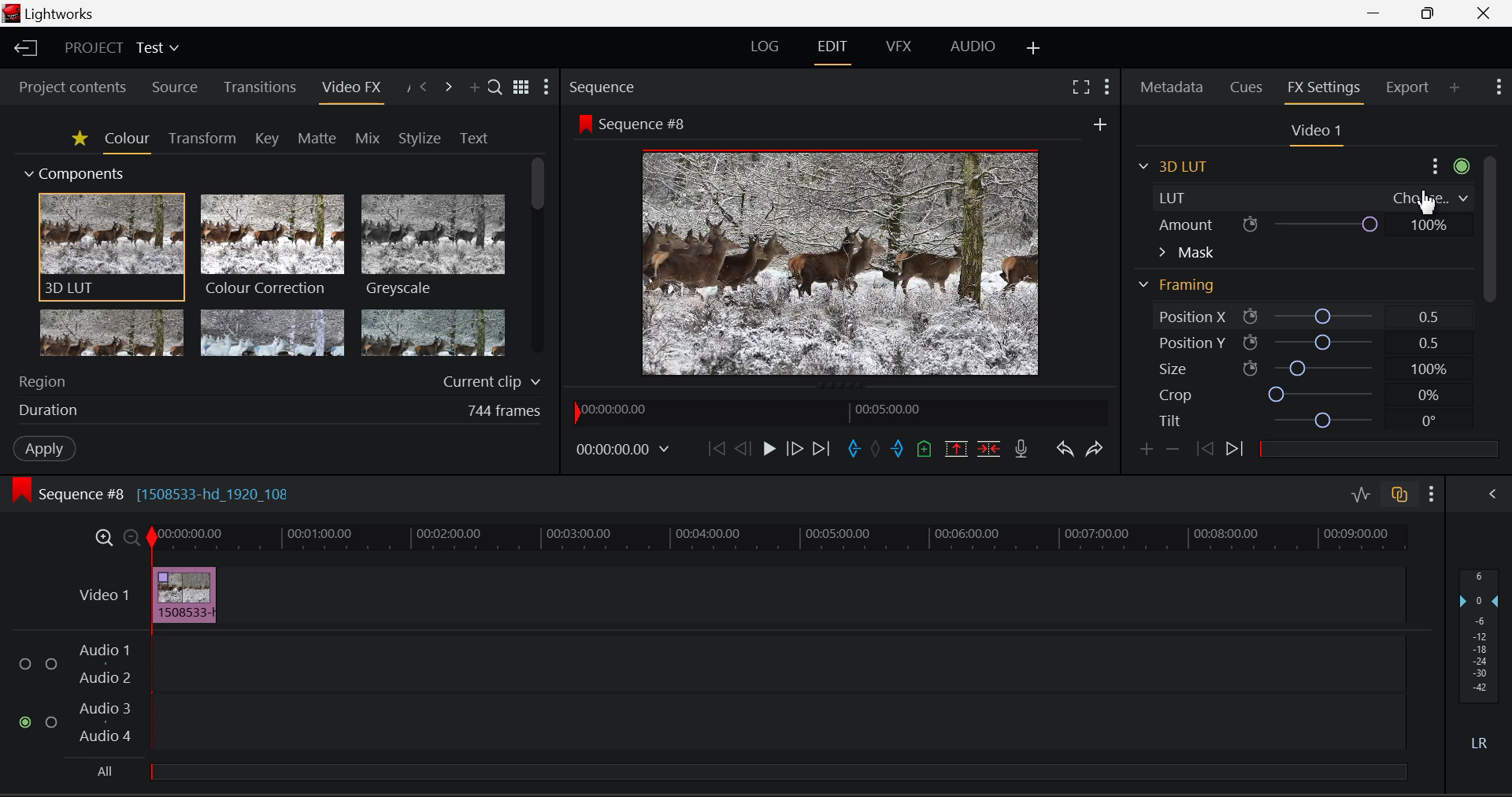  Describe the element at coordinates (1303, 372) in the screenshot. I see `Size` at that location.